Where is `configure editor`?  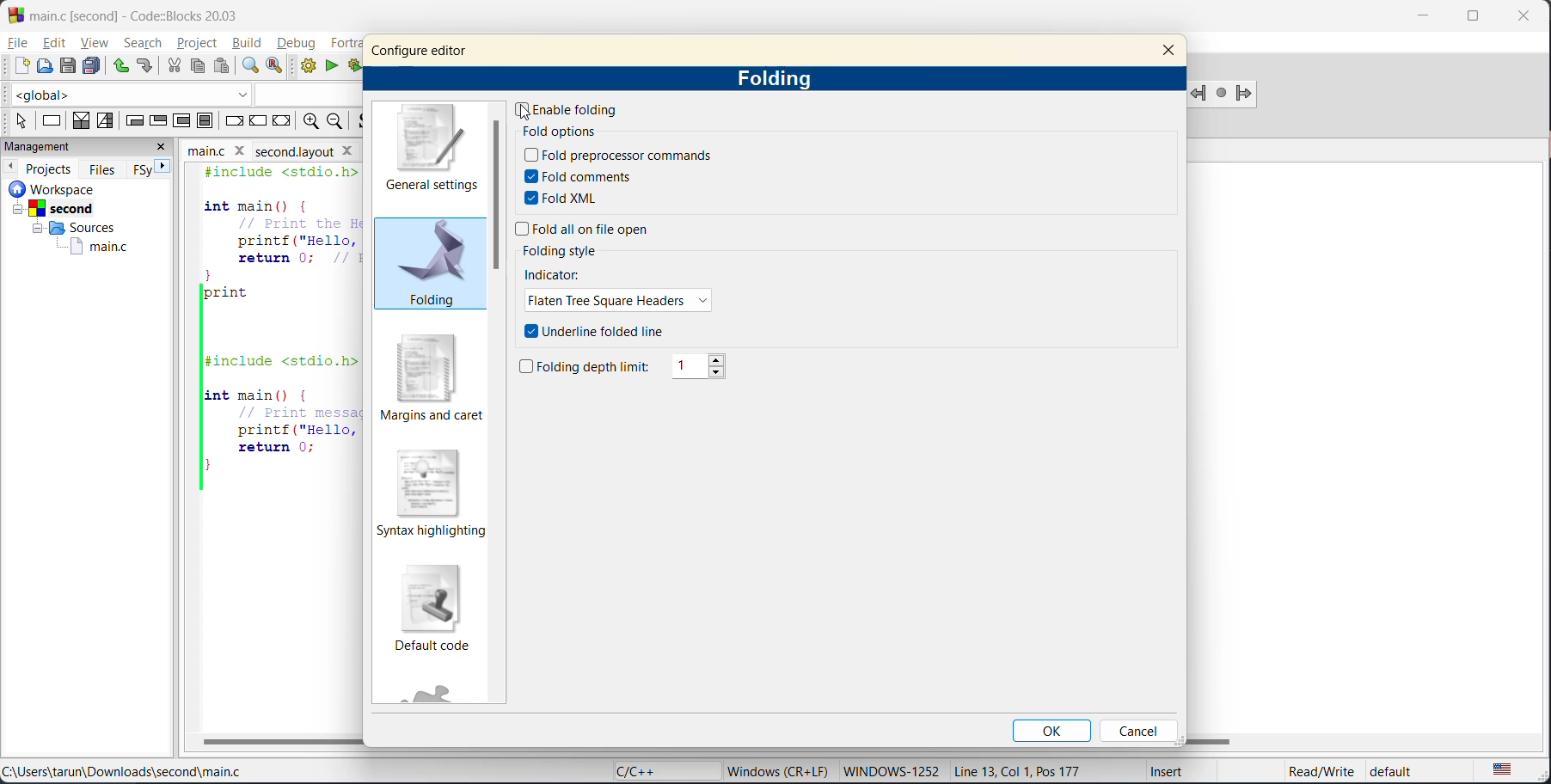
configure editor is located at coordinates (433, 46).